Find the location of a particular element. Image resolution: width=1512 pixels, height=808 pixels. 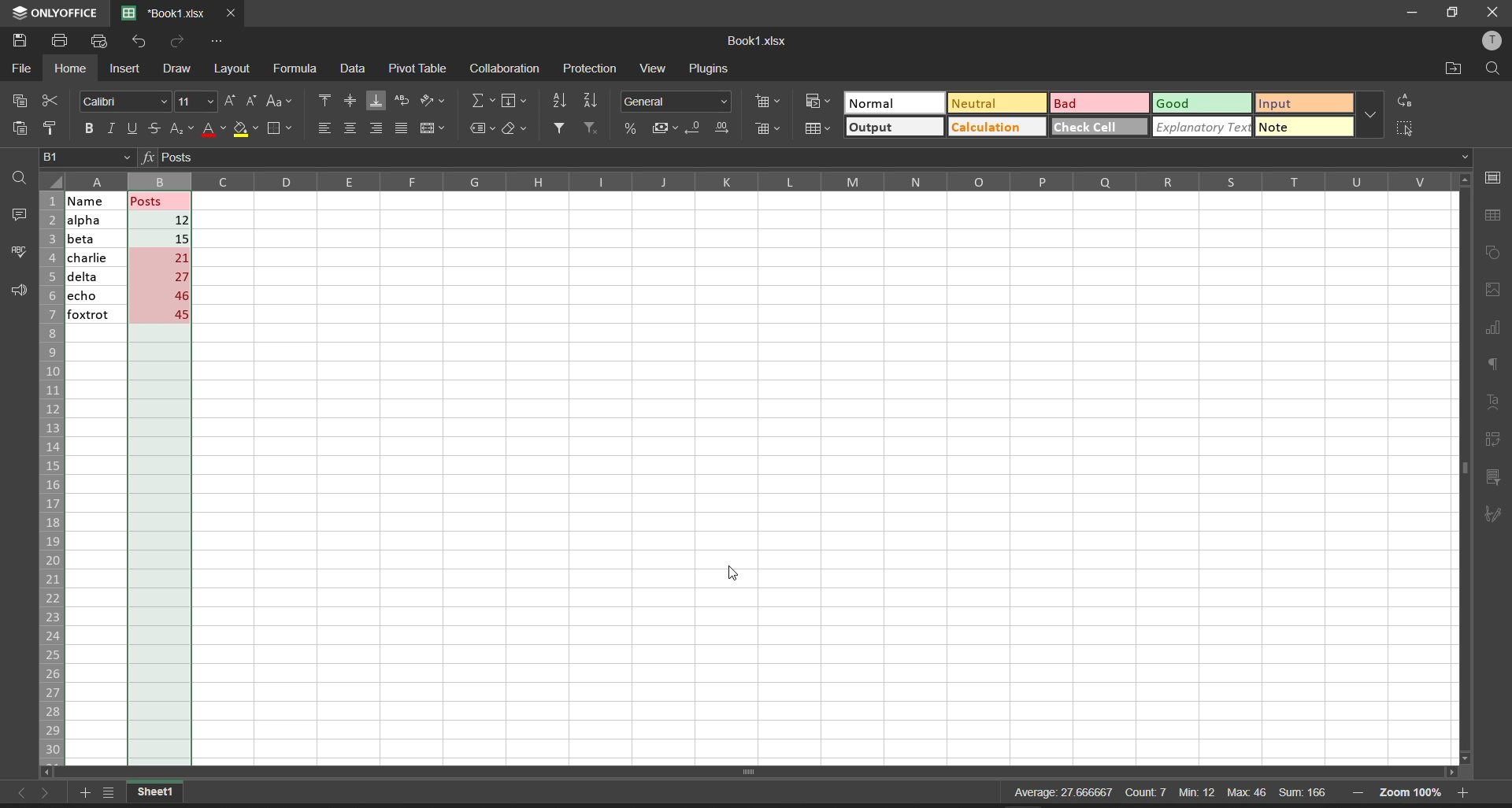

input is located at coordinates (1277, 103).